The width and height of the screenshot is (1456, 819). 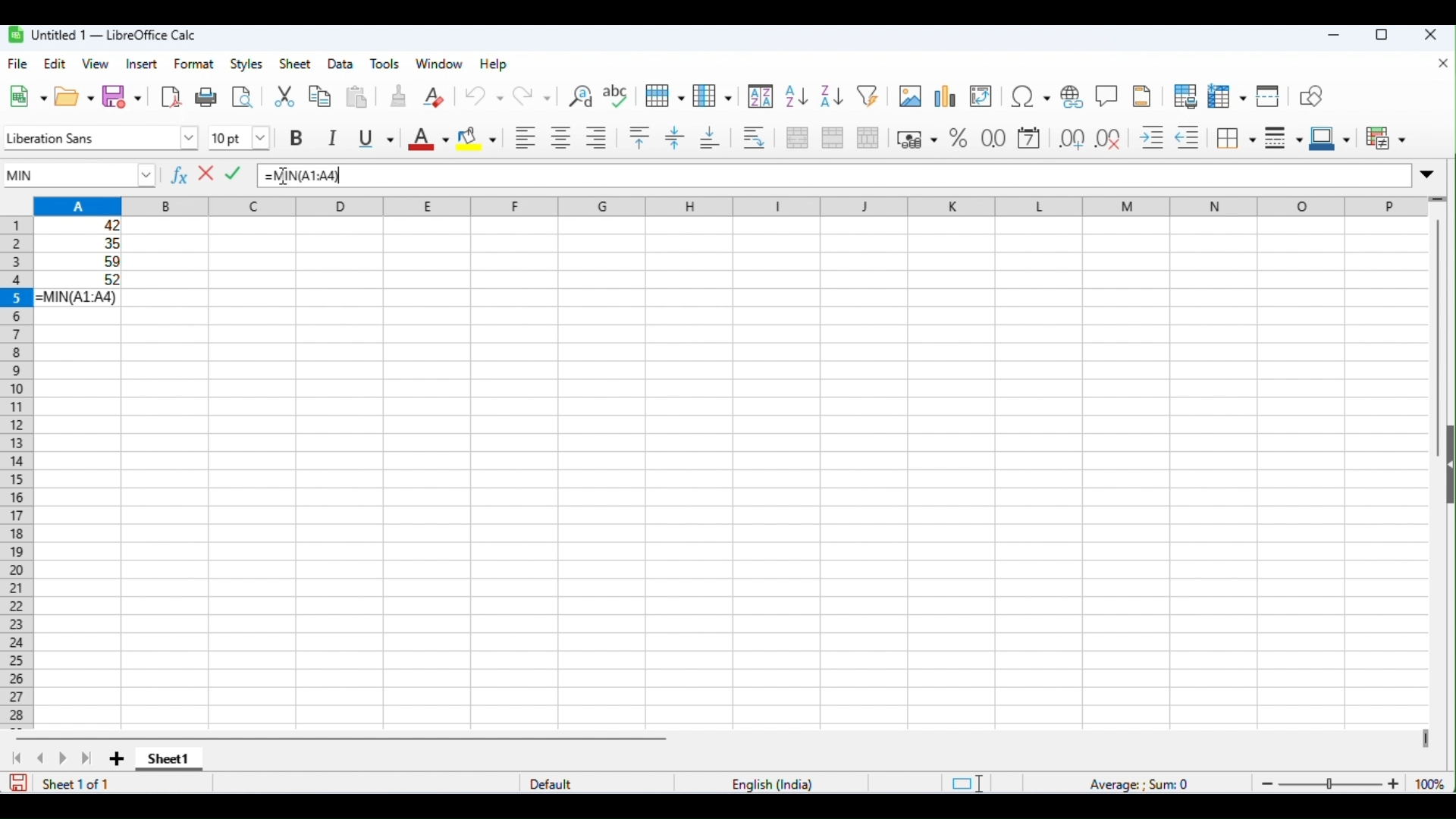 What do you see at coordinates (551, 782) in the screenshot?
I see `default` at bounding box center [551, 782].